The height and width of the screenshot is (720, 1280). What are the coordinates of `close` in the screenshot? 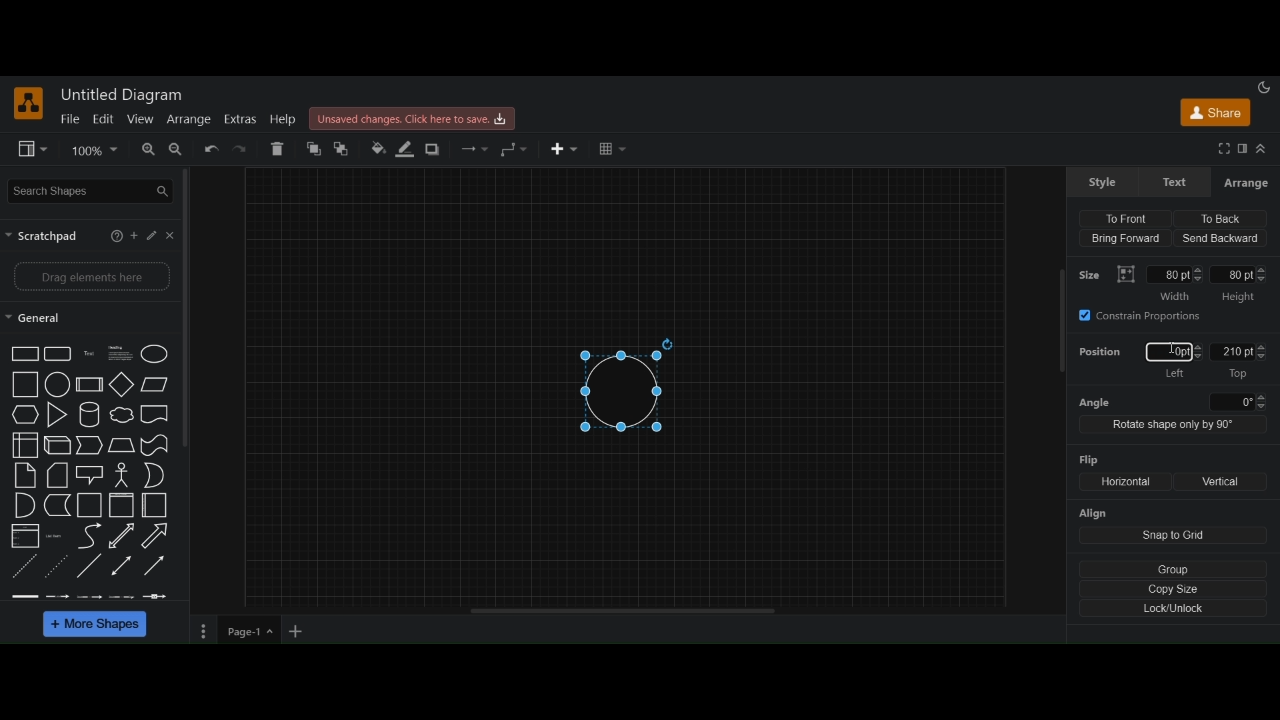 It's located at (173, 235).